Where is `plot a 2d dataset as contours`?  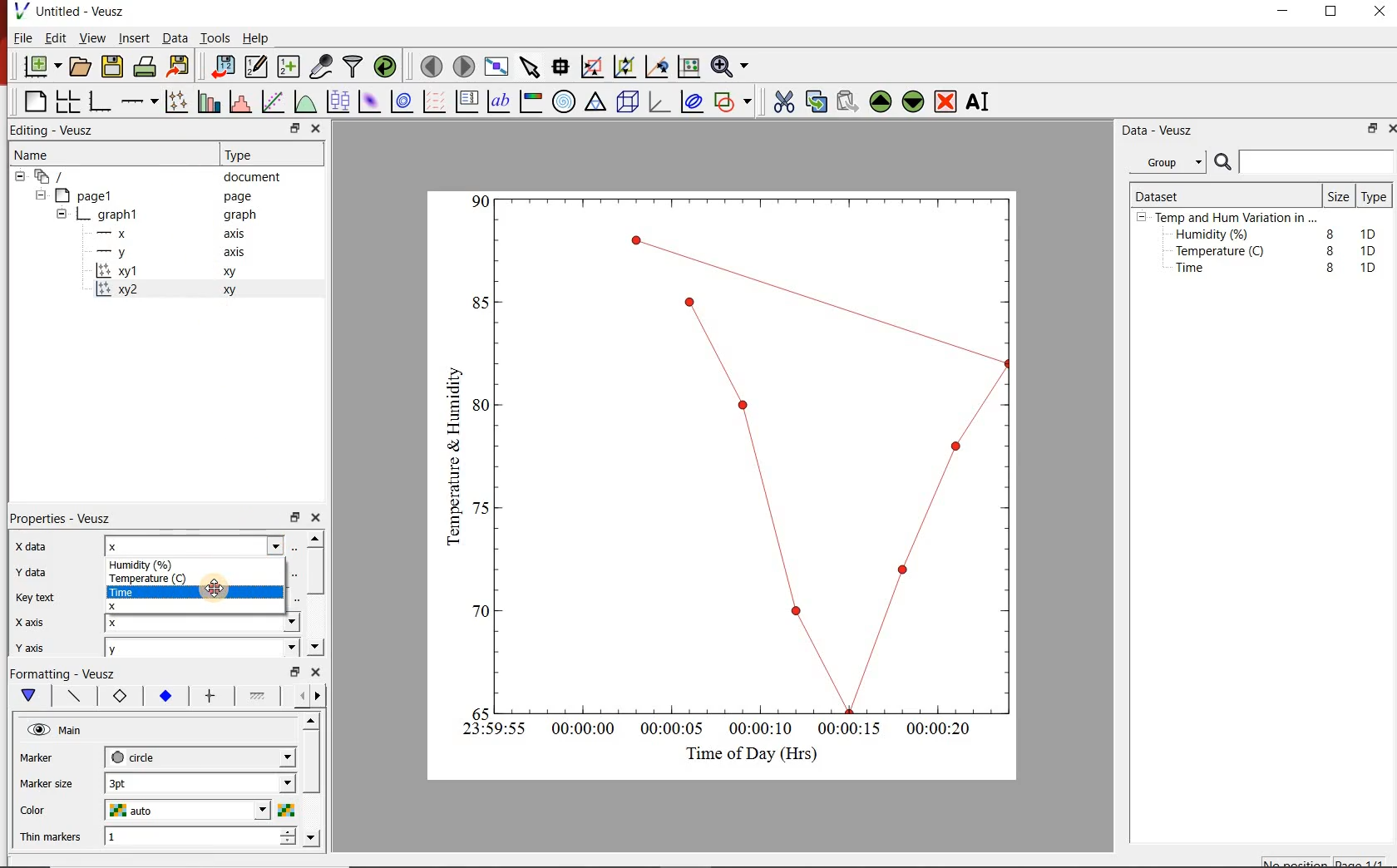 plot a 2d dataset as contours is located at coordinates (406, 102).